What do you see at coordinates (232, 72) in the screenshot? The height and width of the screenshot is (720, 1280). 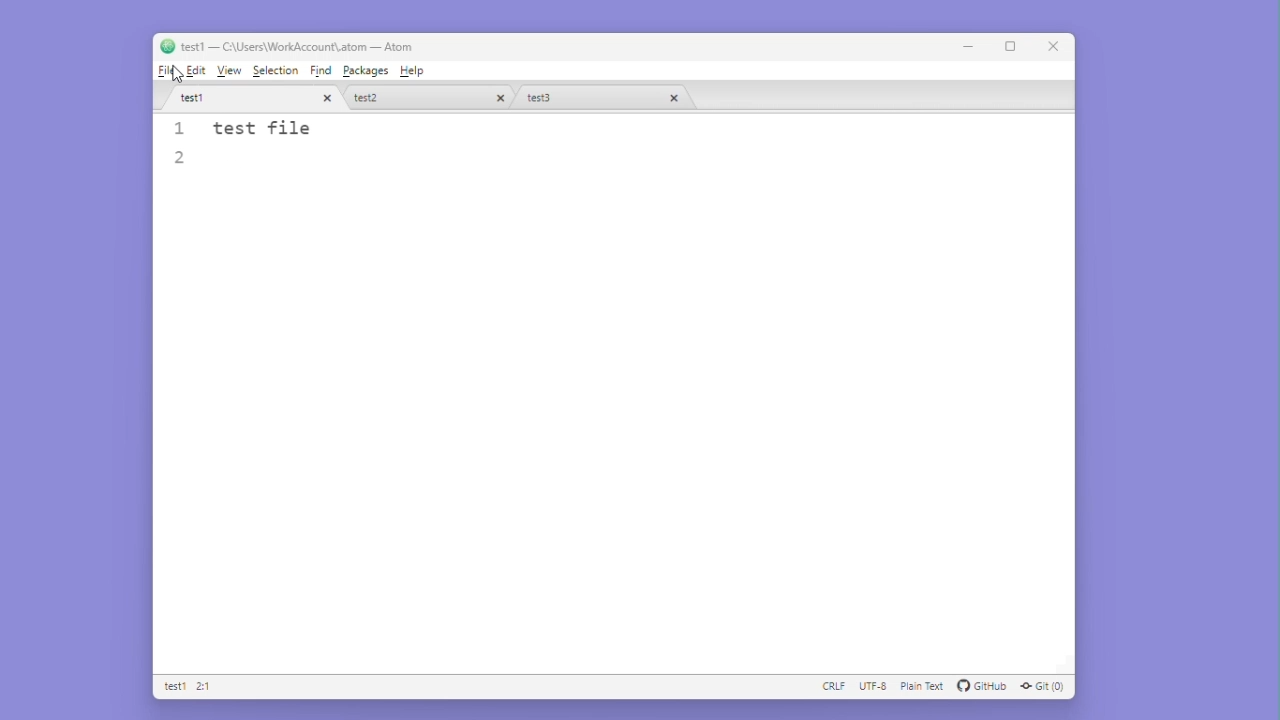 I see `View` at bounding box center [232, 72].